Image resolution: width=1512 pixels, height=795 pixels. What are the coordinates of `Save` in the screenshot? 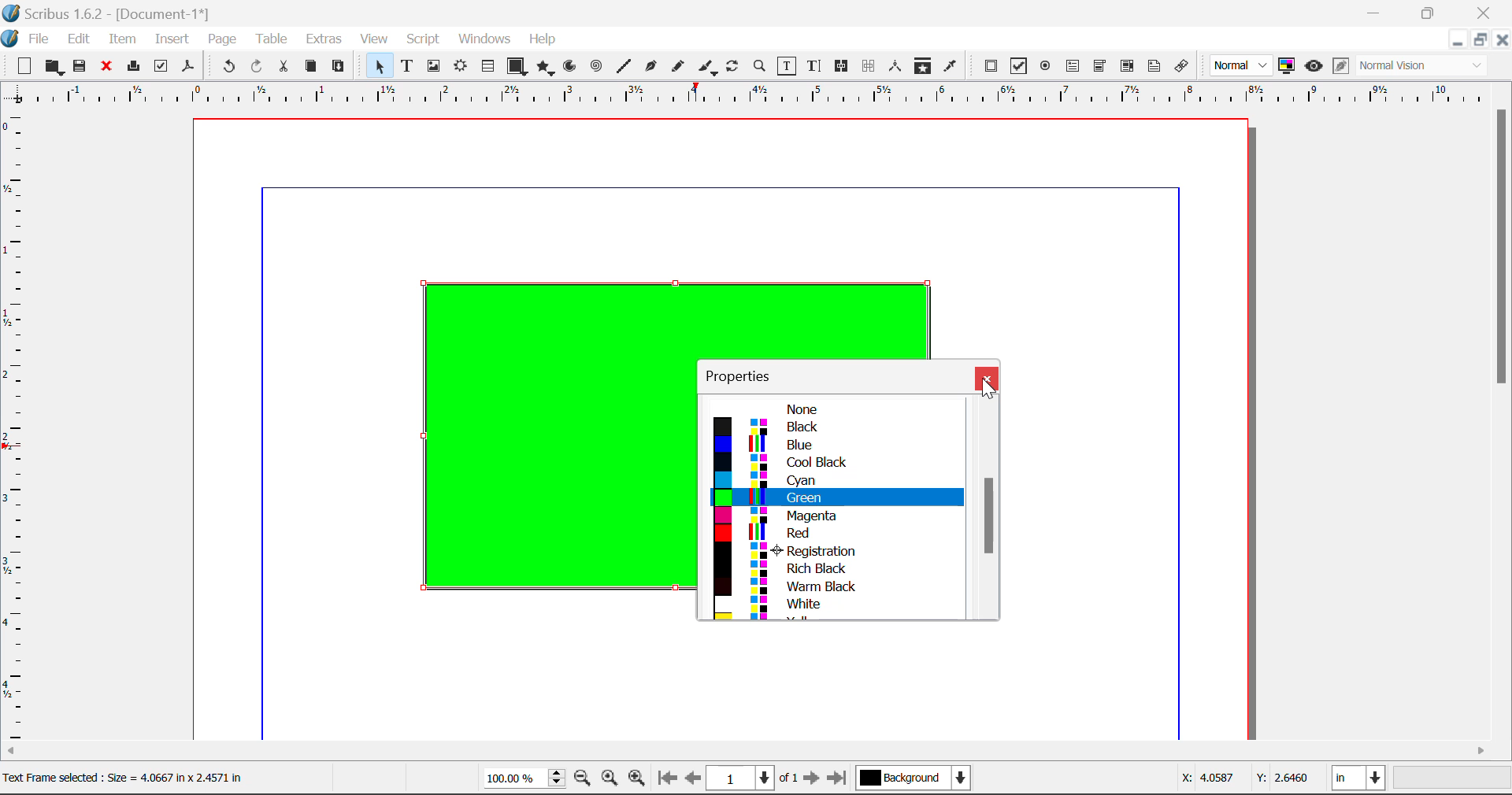 It's located at (81, 66).